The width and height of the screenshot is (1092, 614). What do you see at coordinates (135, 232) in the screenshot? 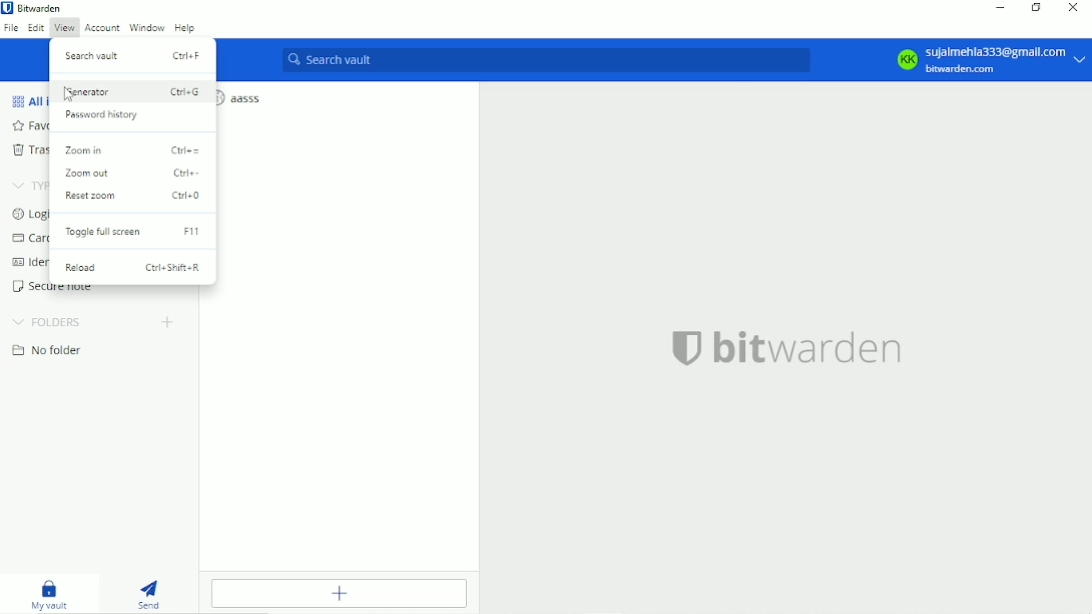
I see `Toggle full screen` at bounding box center [135, 232].